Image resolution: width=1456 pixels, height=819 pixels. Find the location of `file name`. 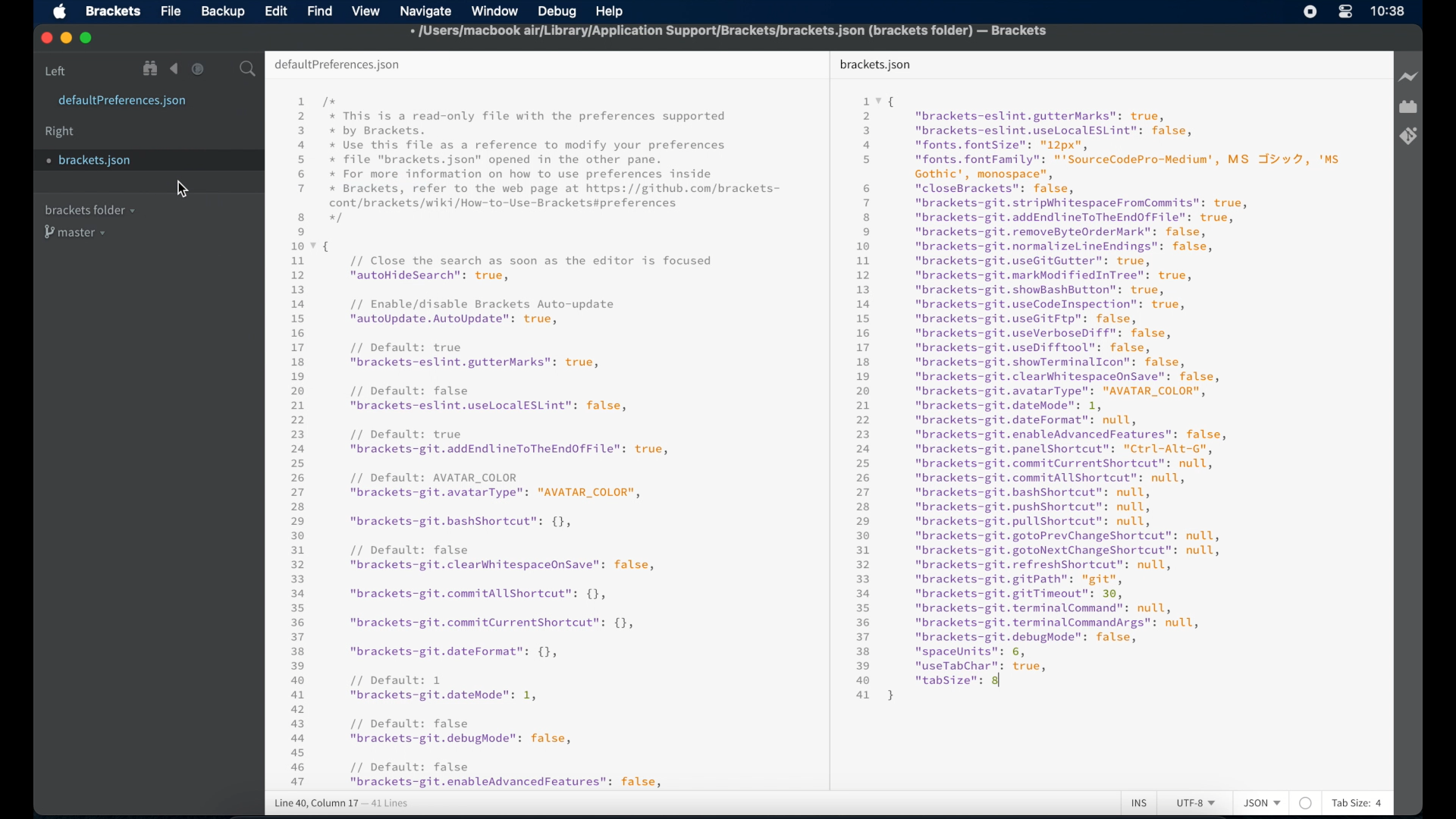

file name is located at coordinates (730, 33).